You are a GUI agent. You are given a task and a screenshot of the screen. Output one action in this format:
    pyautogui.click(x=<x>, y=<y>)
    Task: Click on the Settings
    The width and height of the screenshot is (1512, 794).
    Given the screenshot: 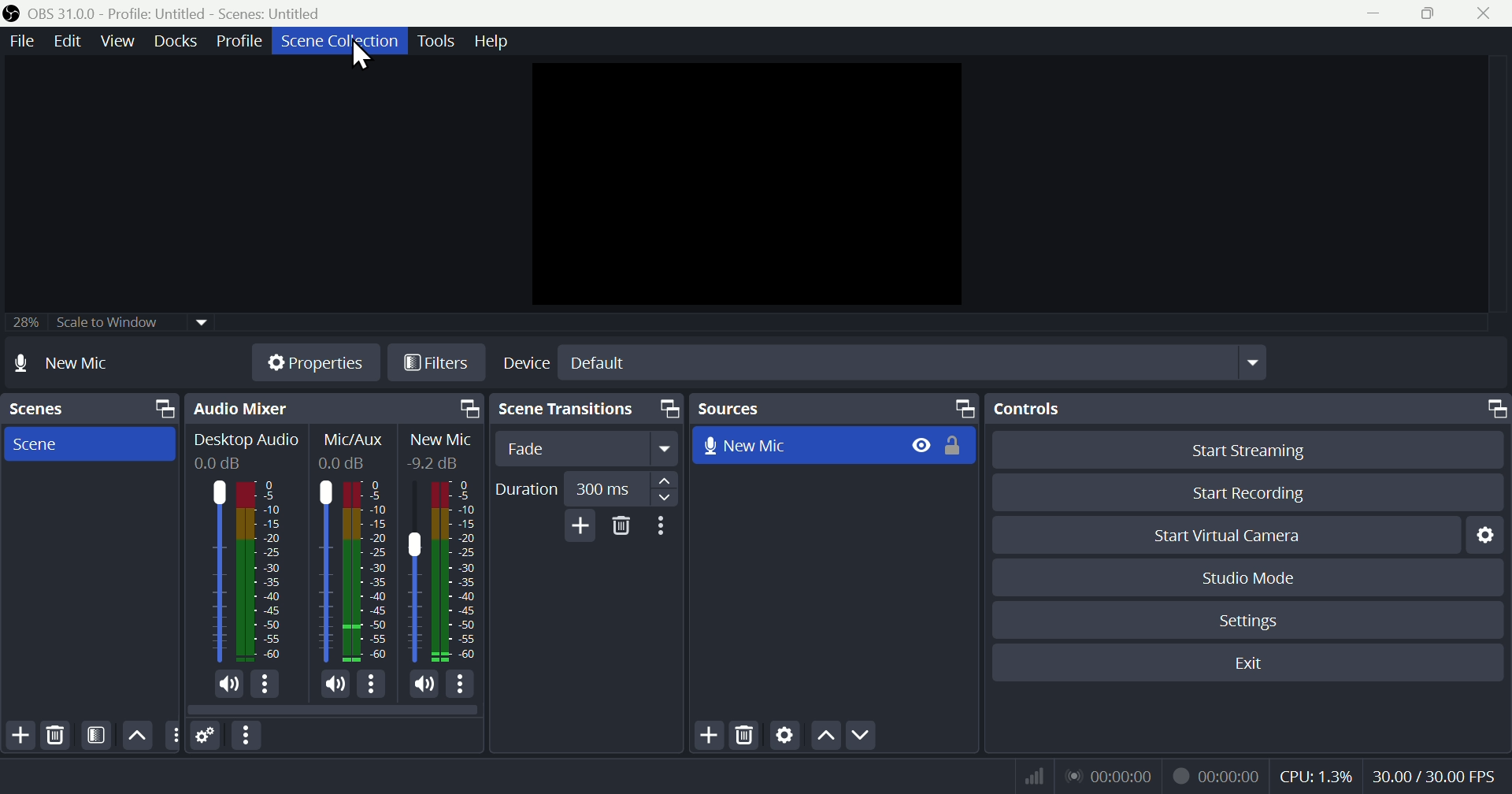 What is the action you would take?
    pyautogui.click(x=210, y=734)
    